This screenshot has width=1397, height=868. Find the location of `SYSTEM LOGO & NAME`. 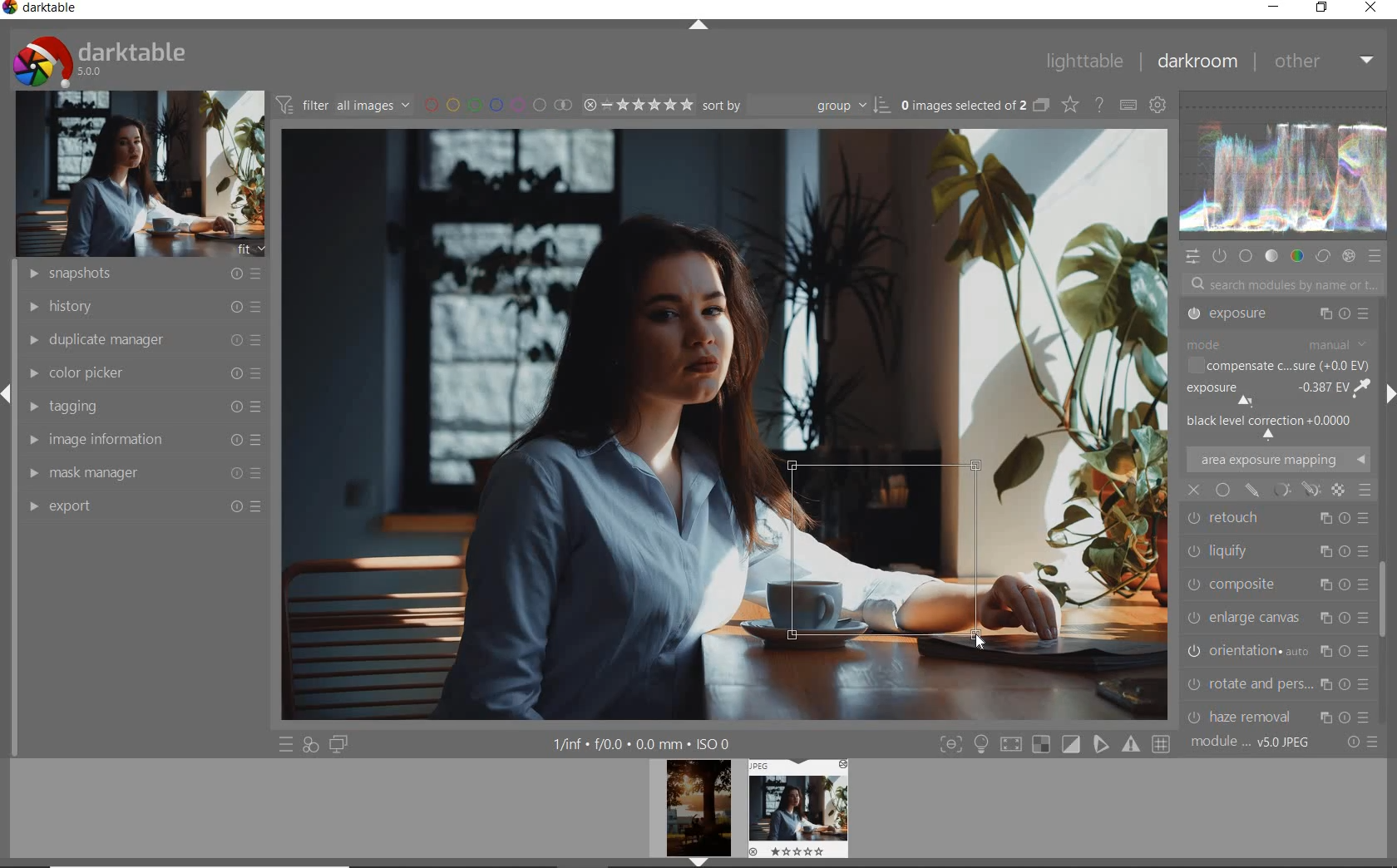

SYSTEM LOGO & NAME is located at coordinates (98, 59).